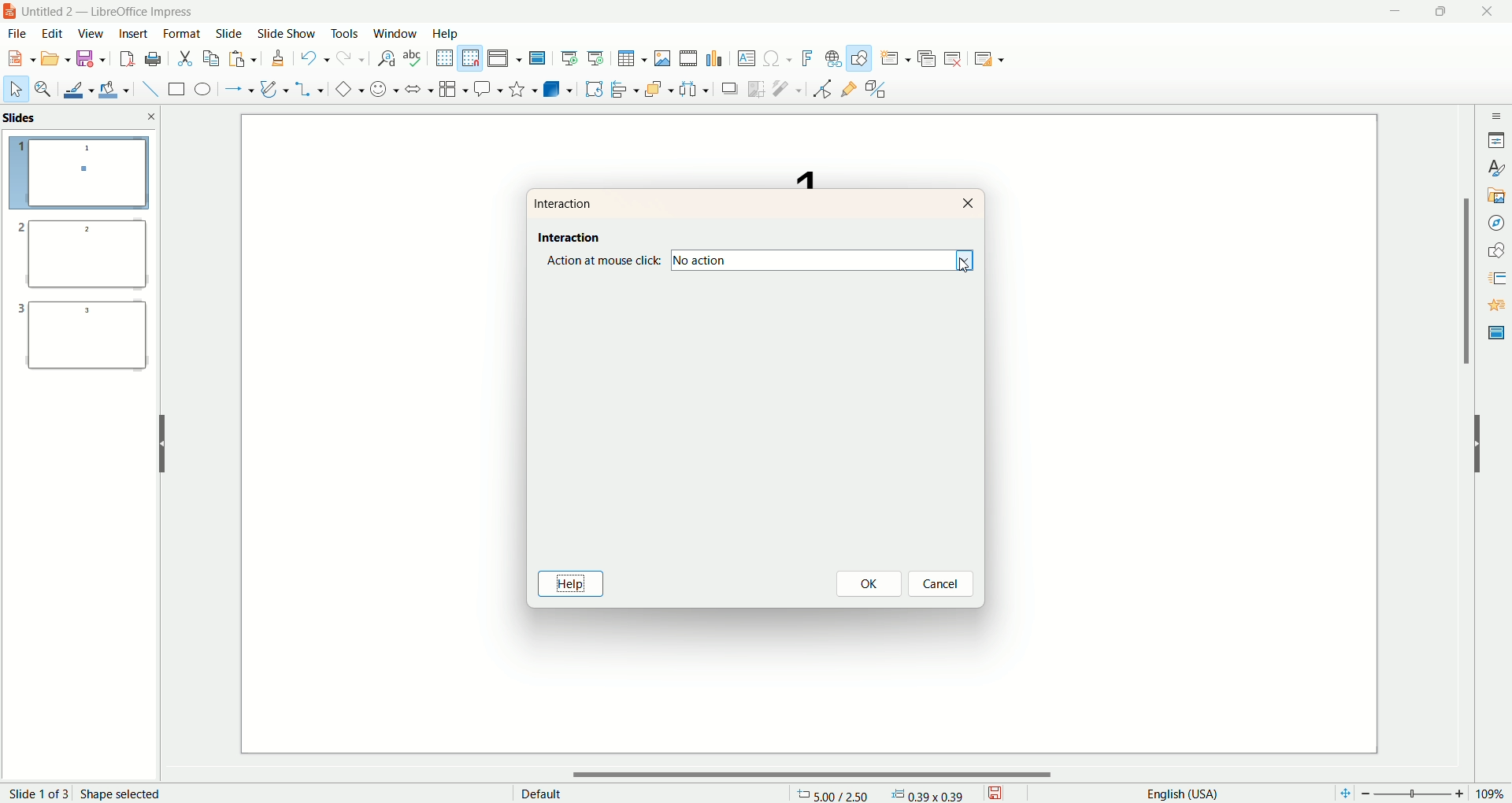 The width and height of the screenshot is (1512, 803). What do you see at coordinates (1496, 139) in the screenshot?
I see `properties` at bounding box center [1496, 139].